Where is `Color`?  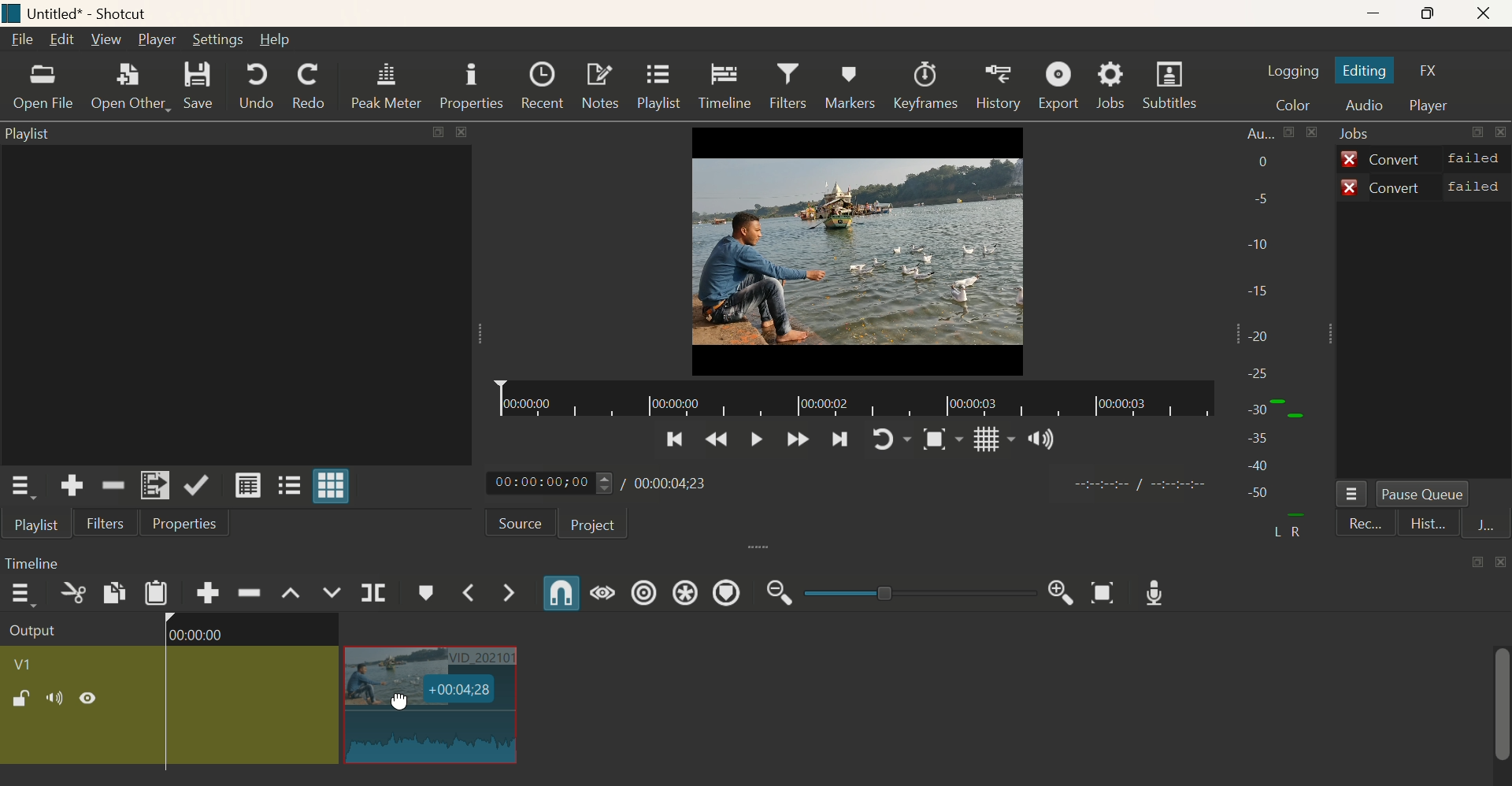
Color is located at coordinates (1290, 102).